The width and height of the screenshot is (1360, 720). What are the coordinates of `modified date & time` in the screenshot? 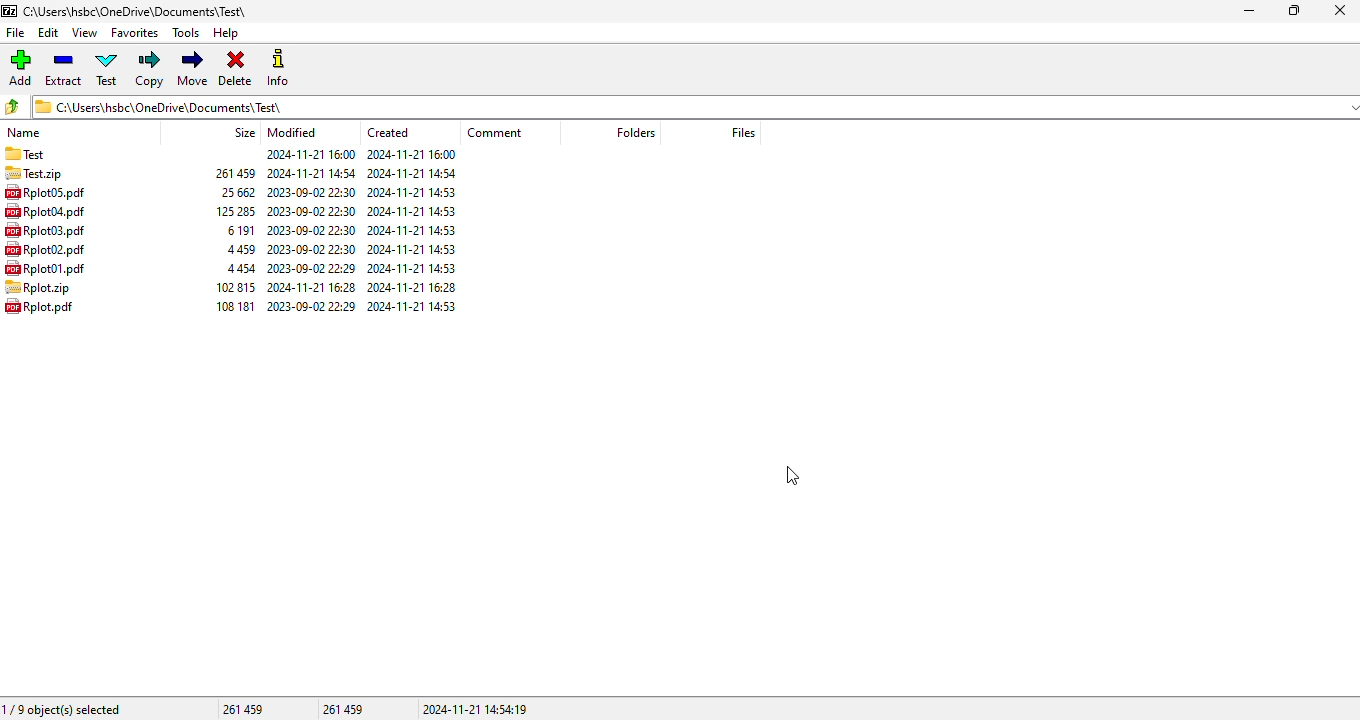 It's located at (311, 287).